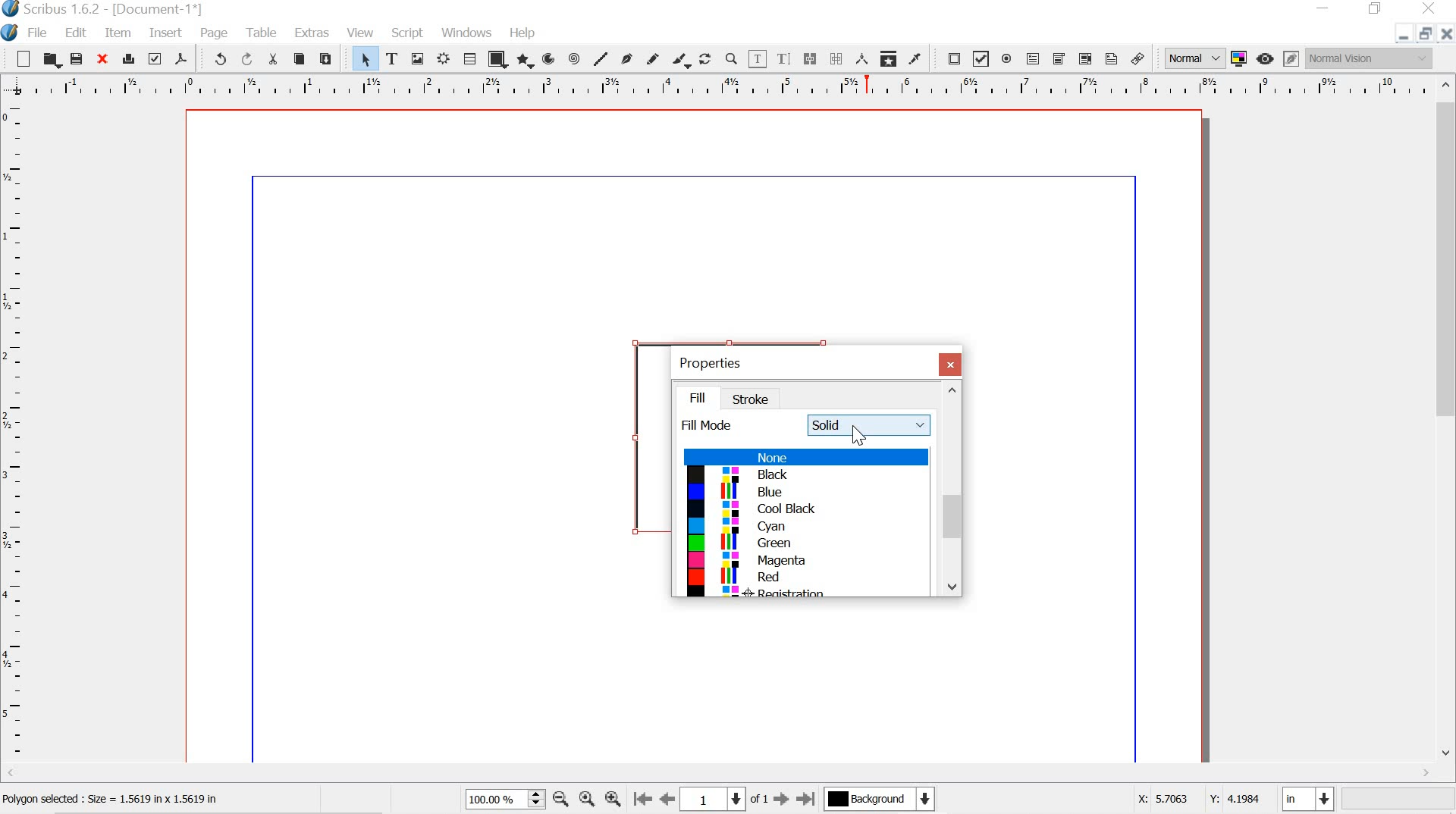 This screenshot has width=1456, height=814. I want to click on edit content of frames, so click(759, 58).